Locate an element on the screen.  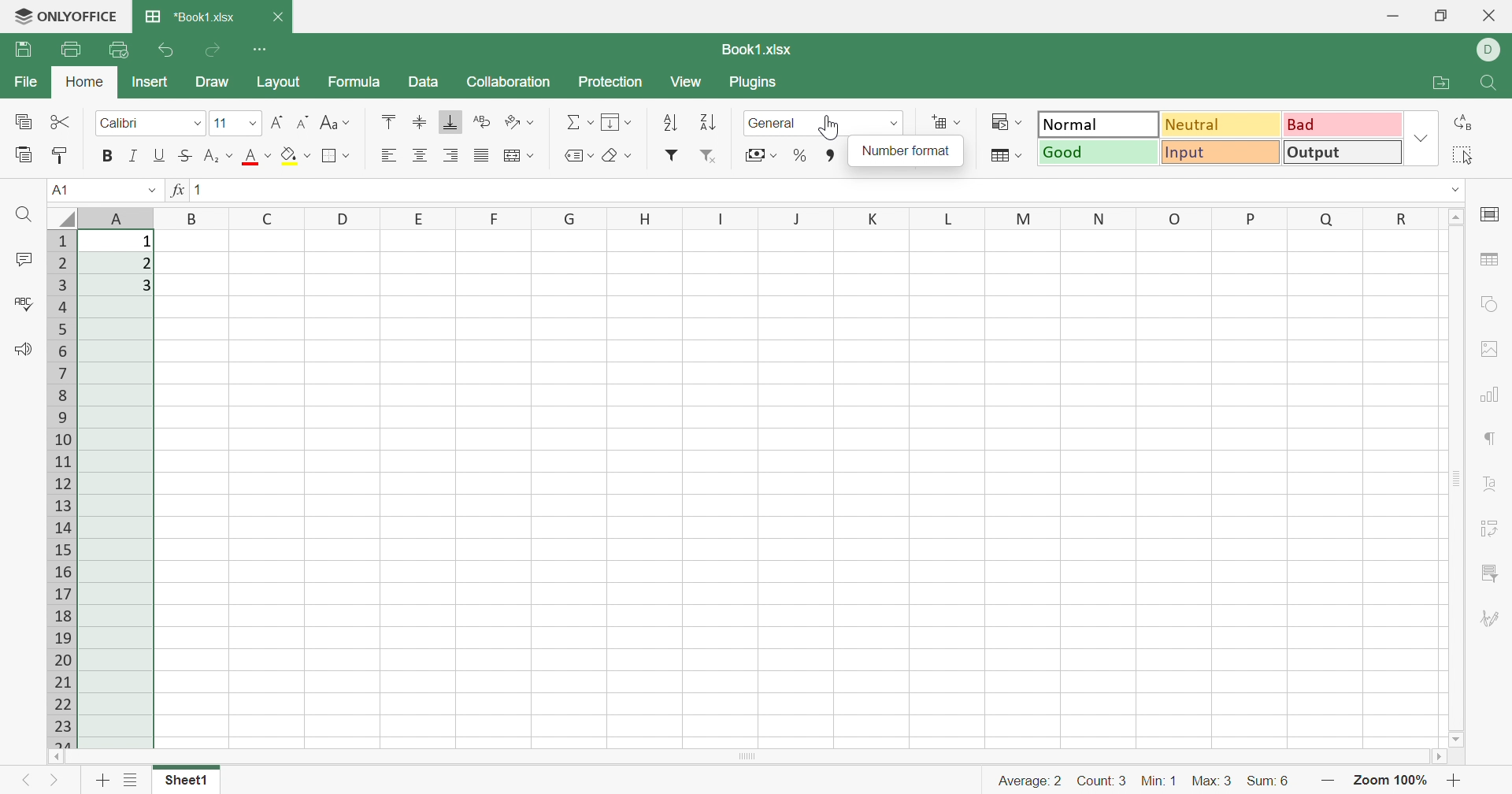
Find is located at coordinates (24, 214).